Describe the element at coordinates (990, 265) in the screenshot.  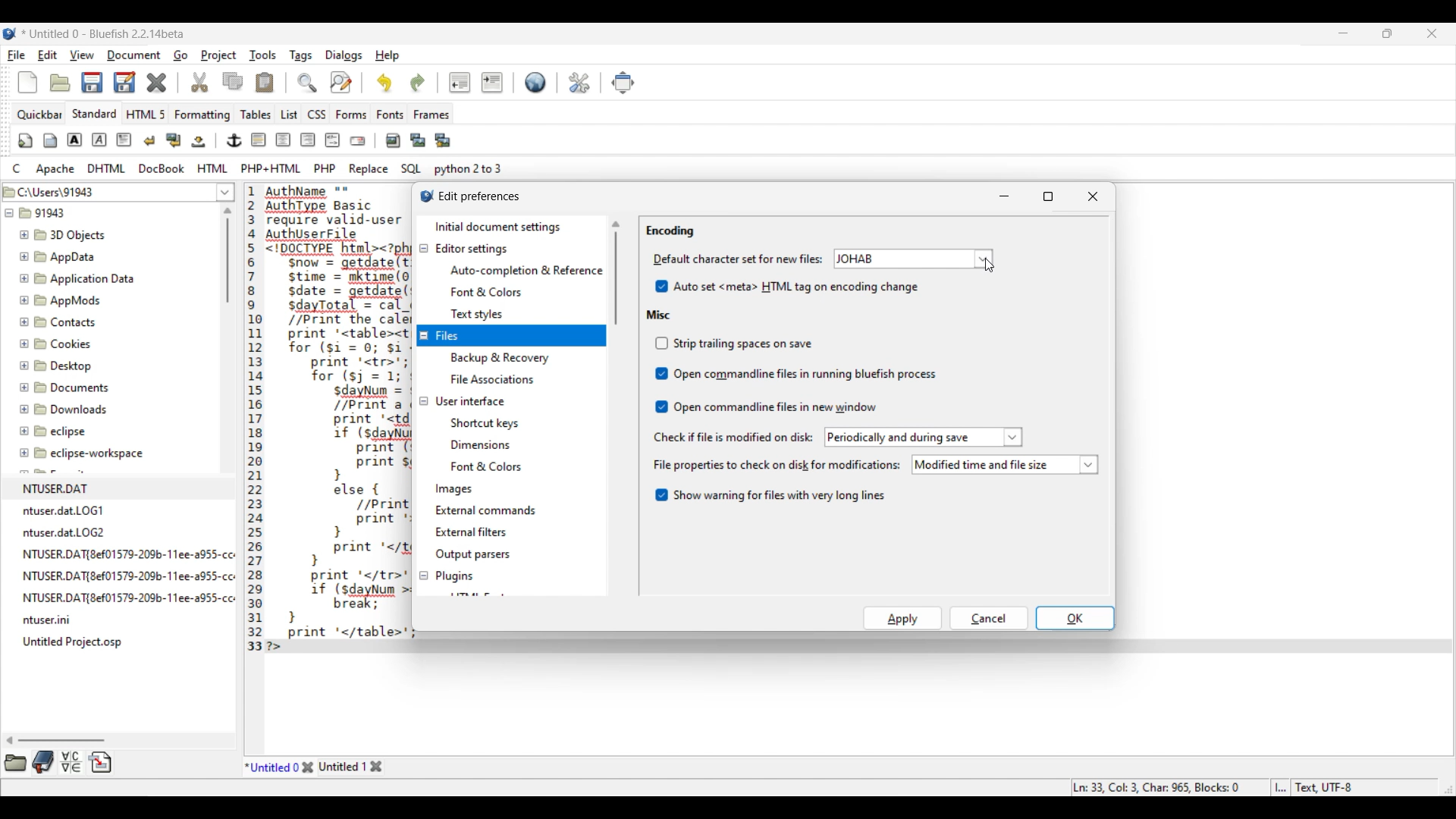
I see `cursor` at that location.